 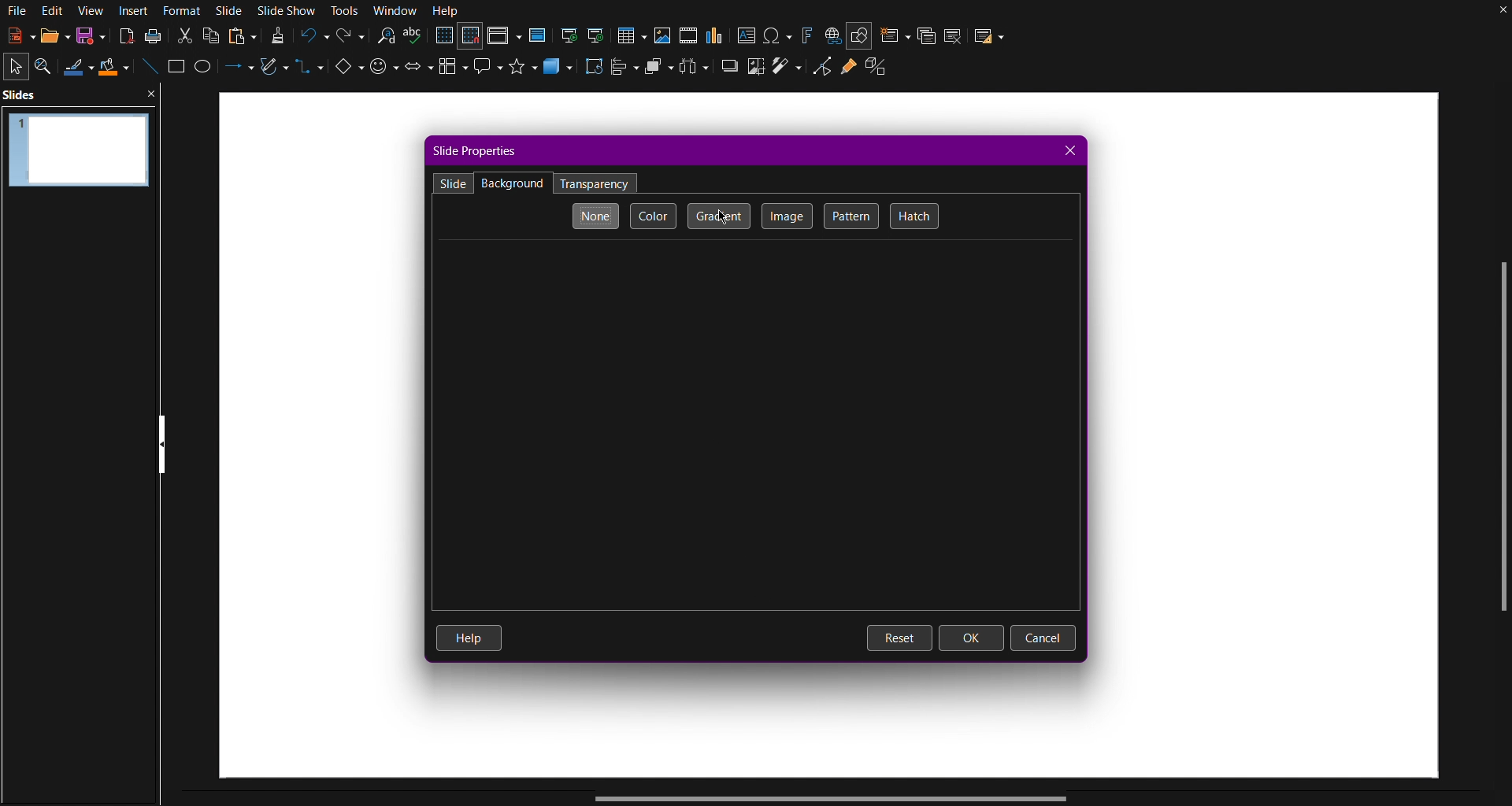 I want to click on Help, so click(x=447, y=11).